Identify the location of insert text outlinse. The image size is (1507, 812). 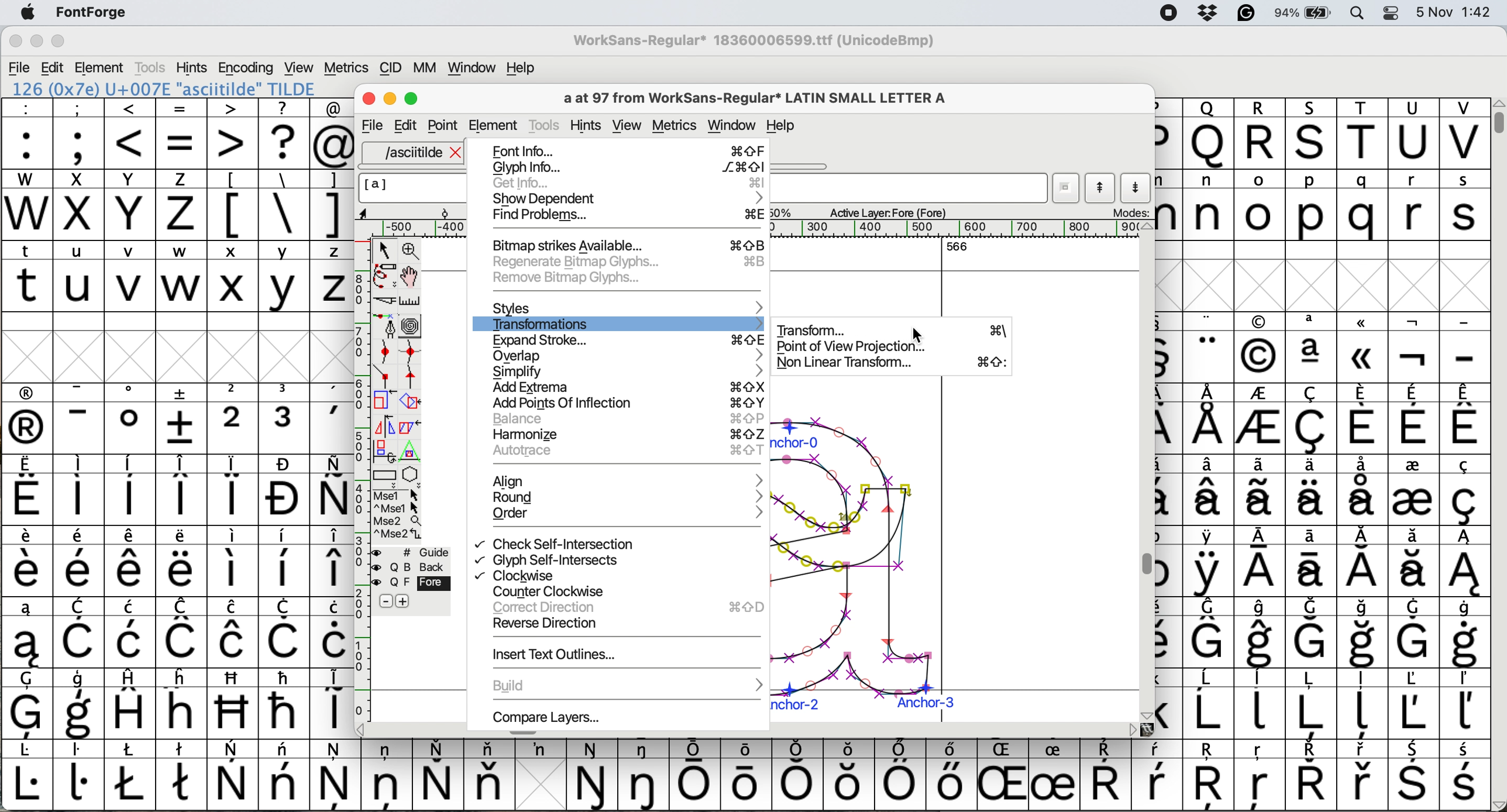
(563, 655).